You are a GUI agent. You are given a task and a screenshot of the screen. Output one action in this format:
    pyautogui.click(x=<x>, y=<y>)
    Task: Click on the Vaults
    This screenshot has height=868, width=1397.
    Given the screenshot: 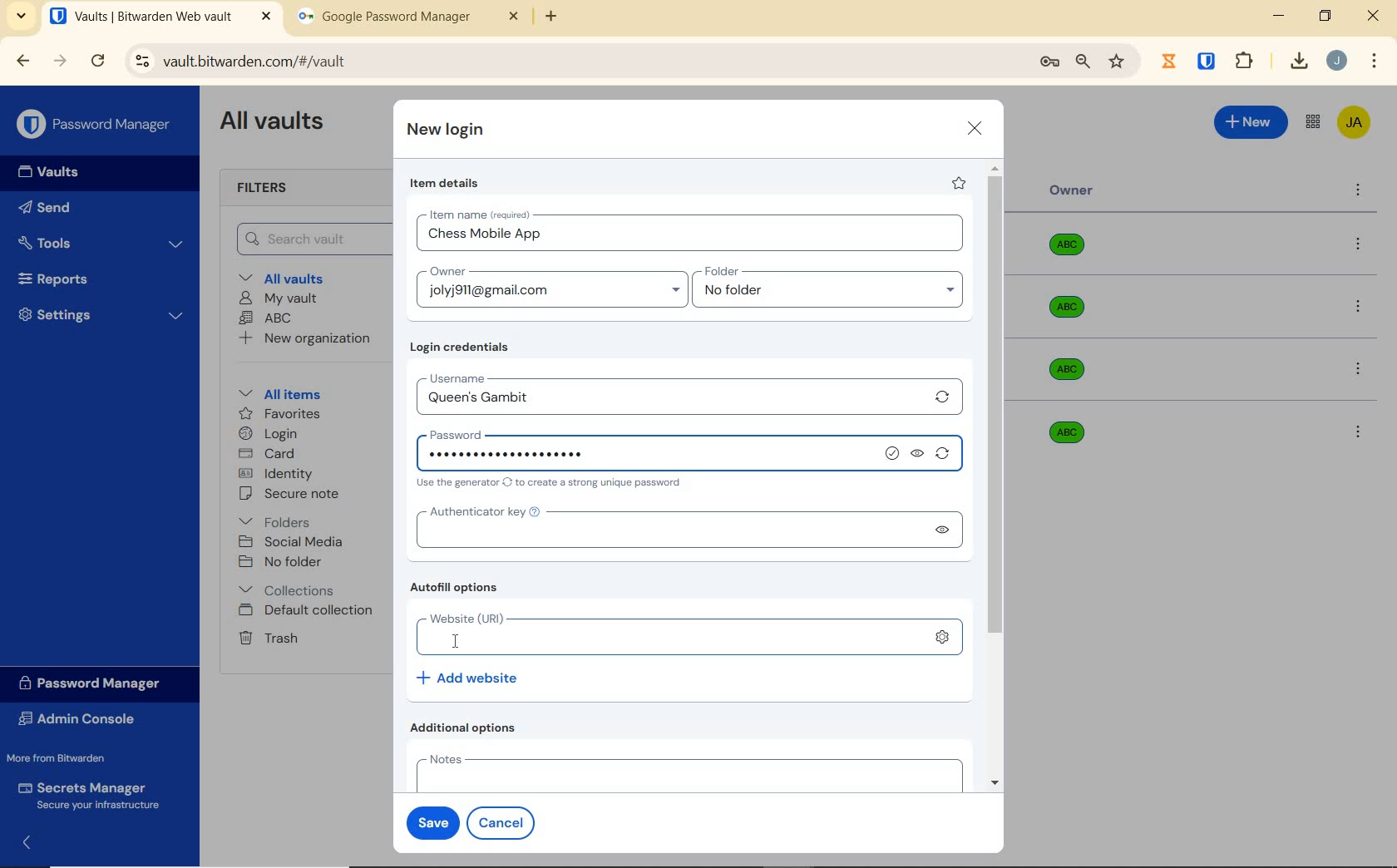 What is the action you would take?
    pyautogui.click(x=53, y=172)
    